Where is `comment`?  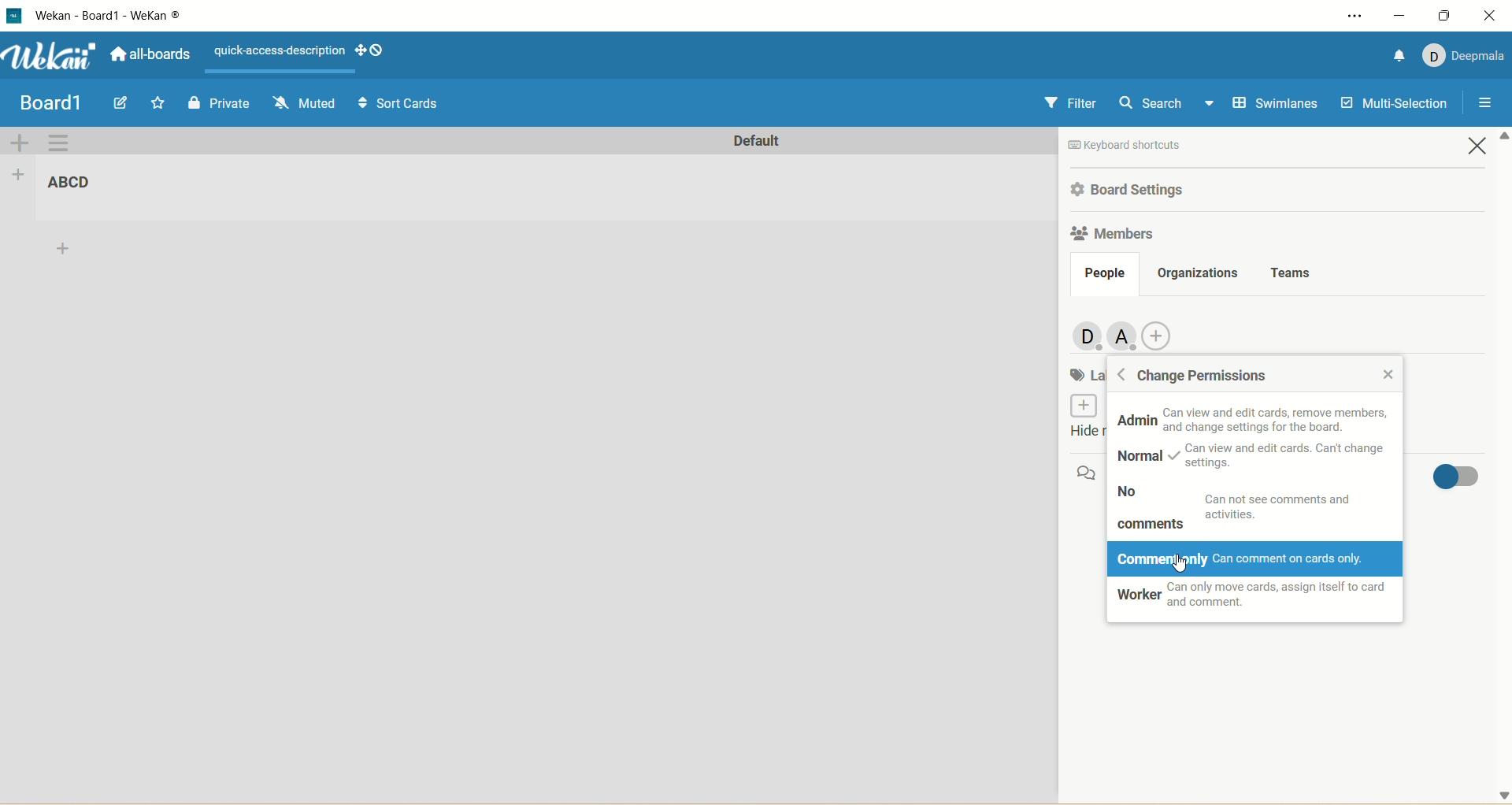 comment is located at coordinates (1087, 473).